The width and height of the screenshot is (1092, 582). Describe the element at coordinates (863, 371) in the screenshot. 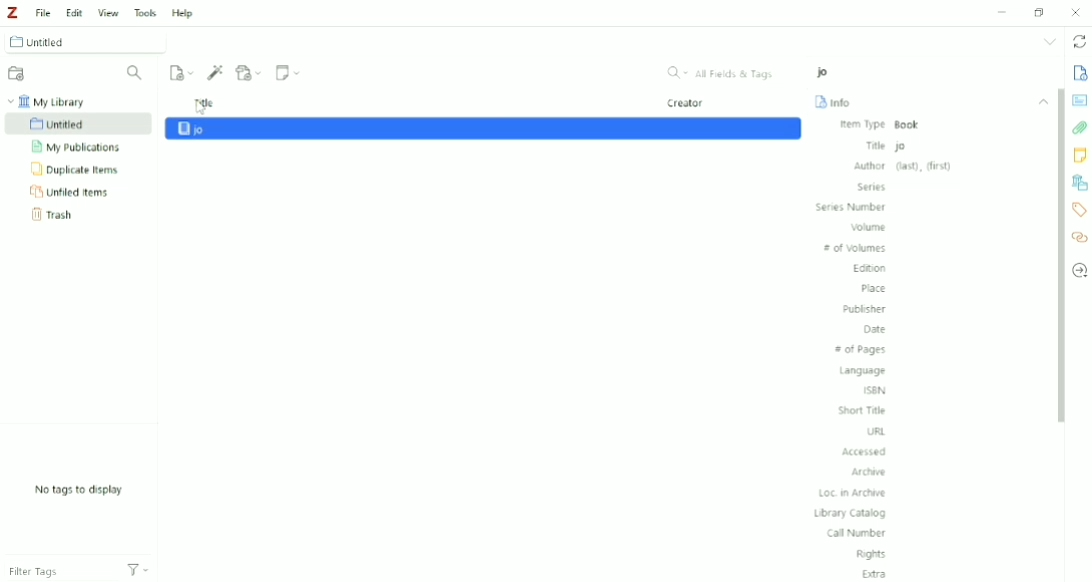

I see `Language` at that location.